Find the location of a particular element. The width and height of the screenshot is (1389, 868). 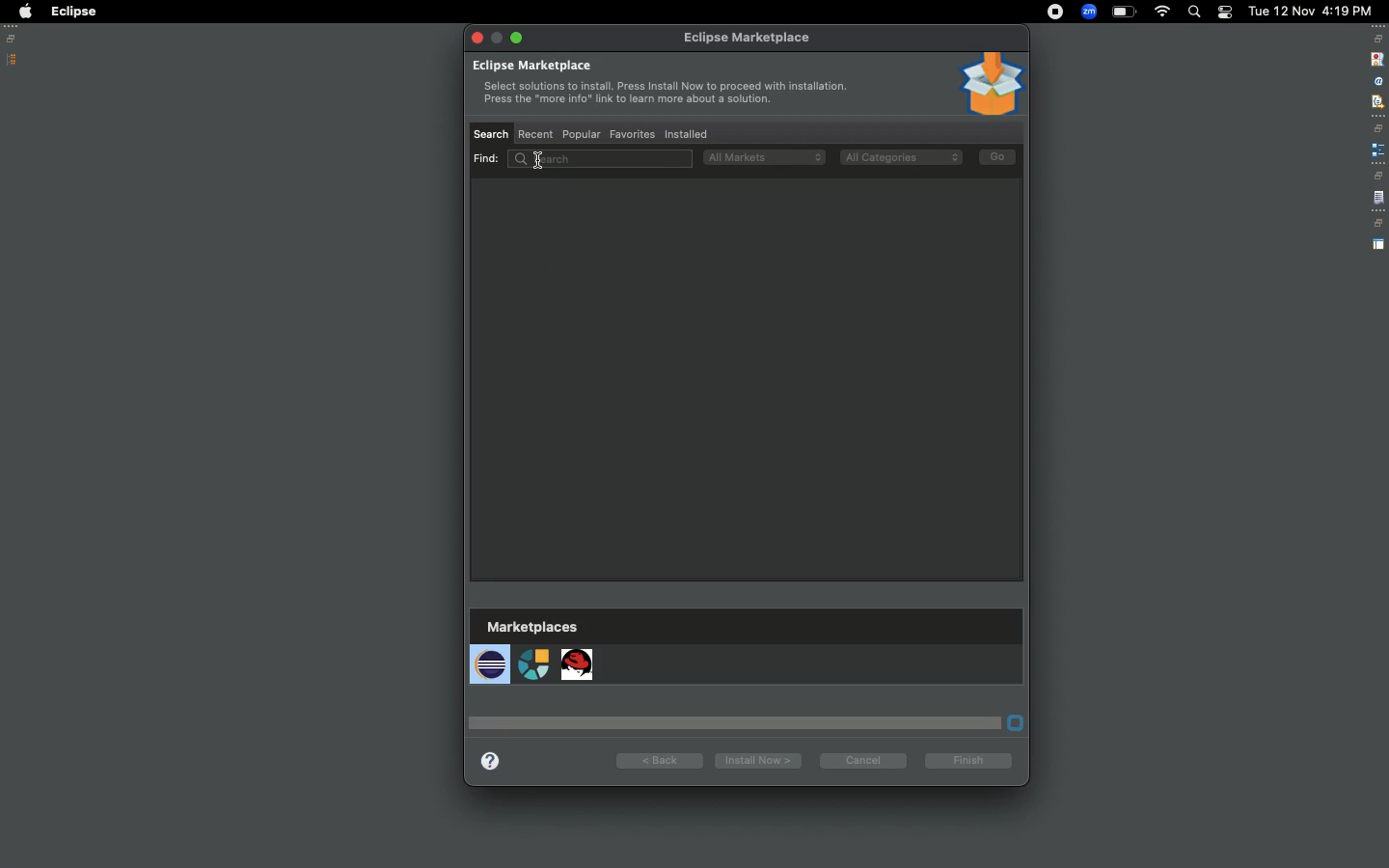

Package explorer is located at coordinates (13, 60).